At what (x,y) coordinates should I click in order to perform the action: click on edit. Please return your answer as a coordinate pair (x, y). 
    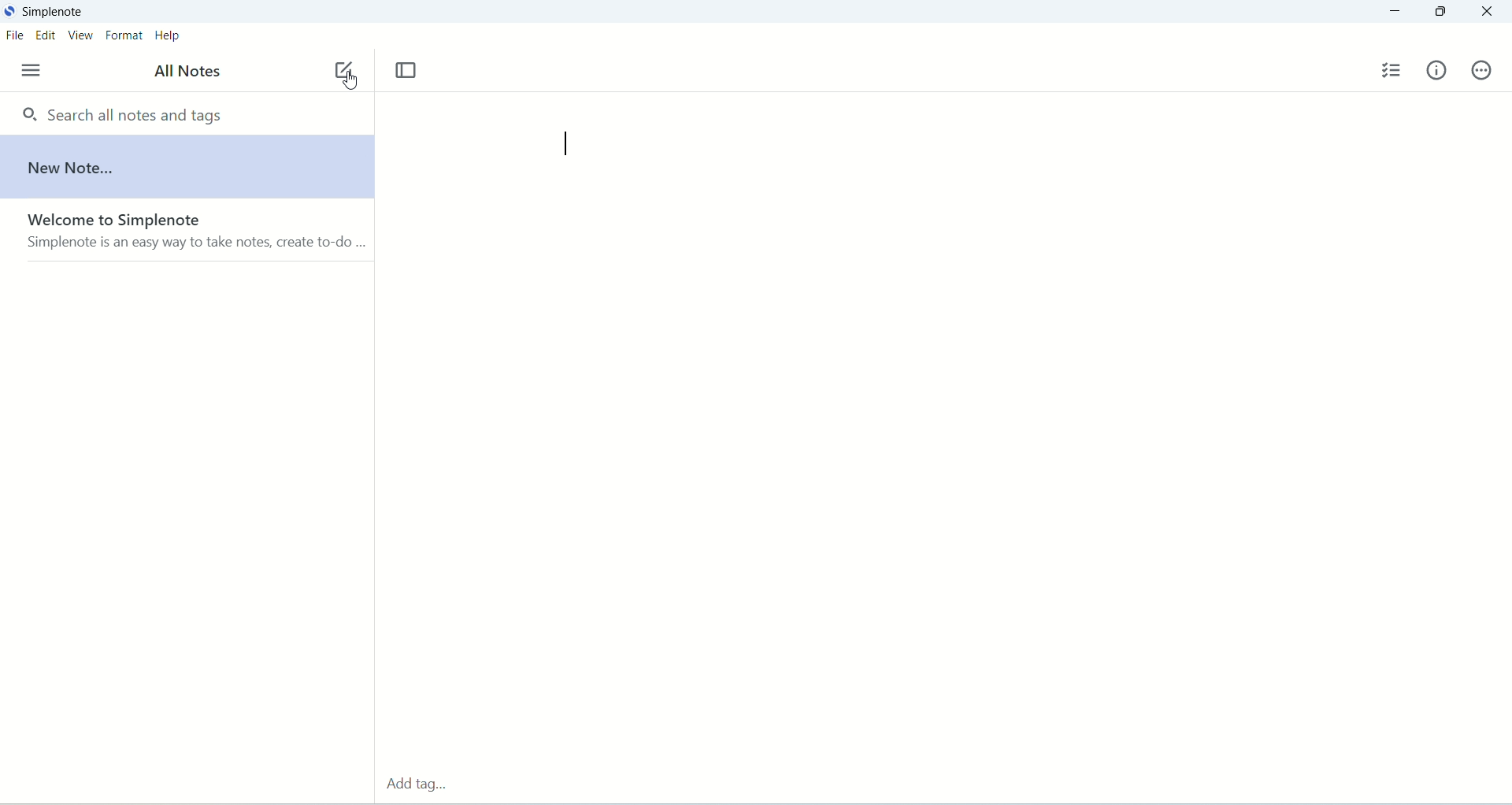
    Looking at the image, I should click on (46, 35).